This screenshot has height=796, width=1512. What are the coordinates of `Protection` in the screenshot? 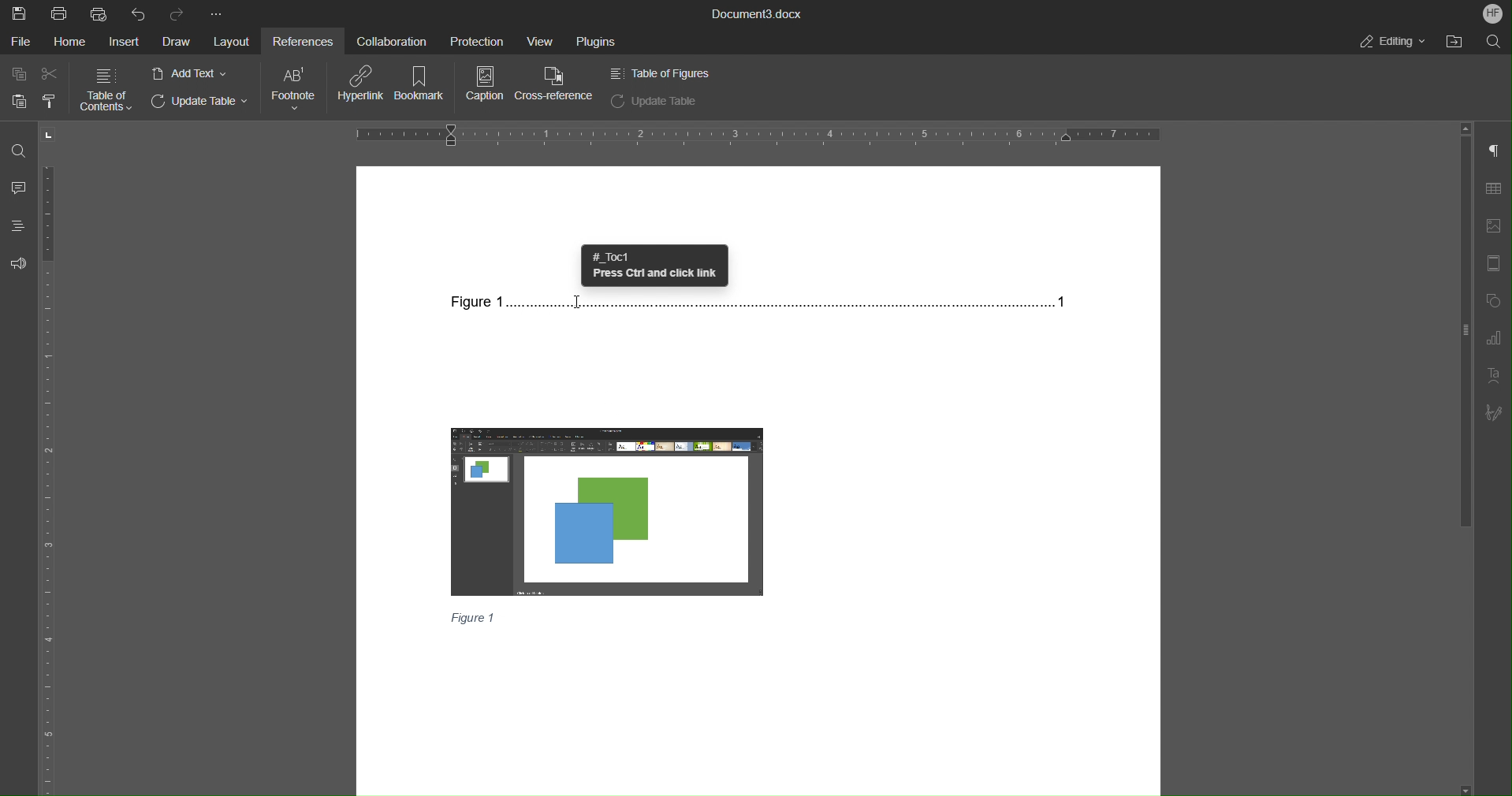 It's located at (470, 39).